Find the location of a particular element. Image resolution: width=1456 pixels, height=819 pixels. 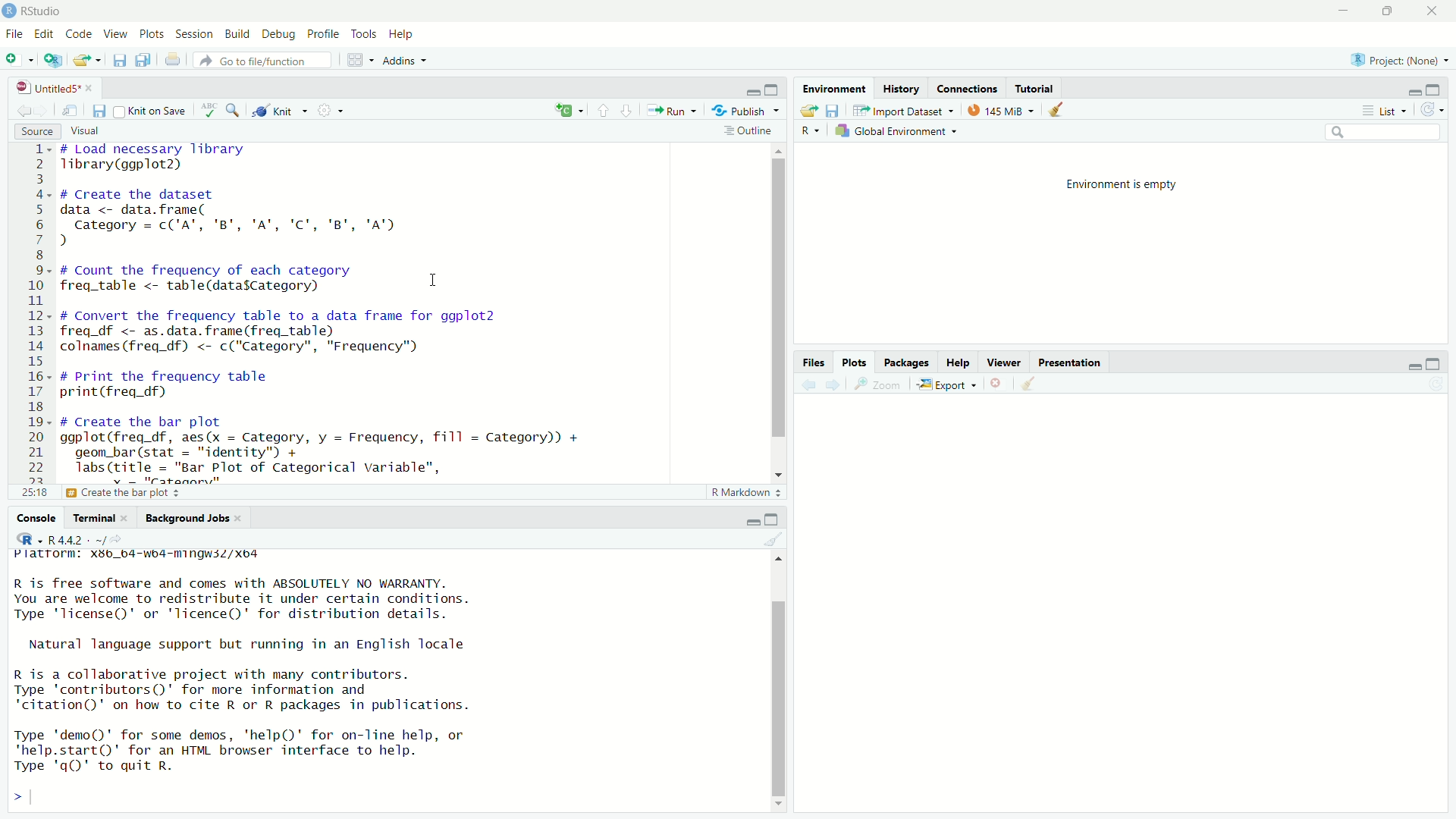

maximize is located at coordinates (1392, 12).